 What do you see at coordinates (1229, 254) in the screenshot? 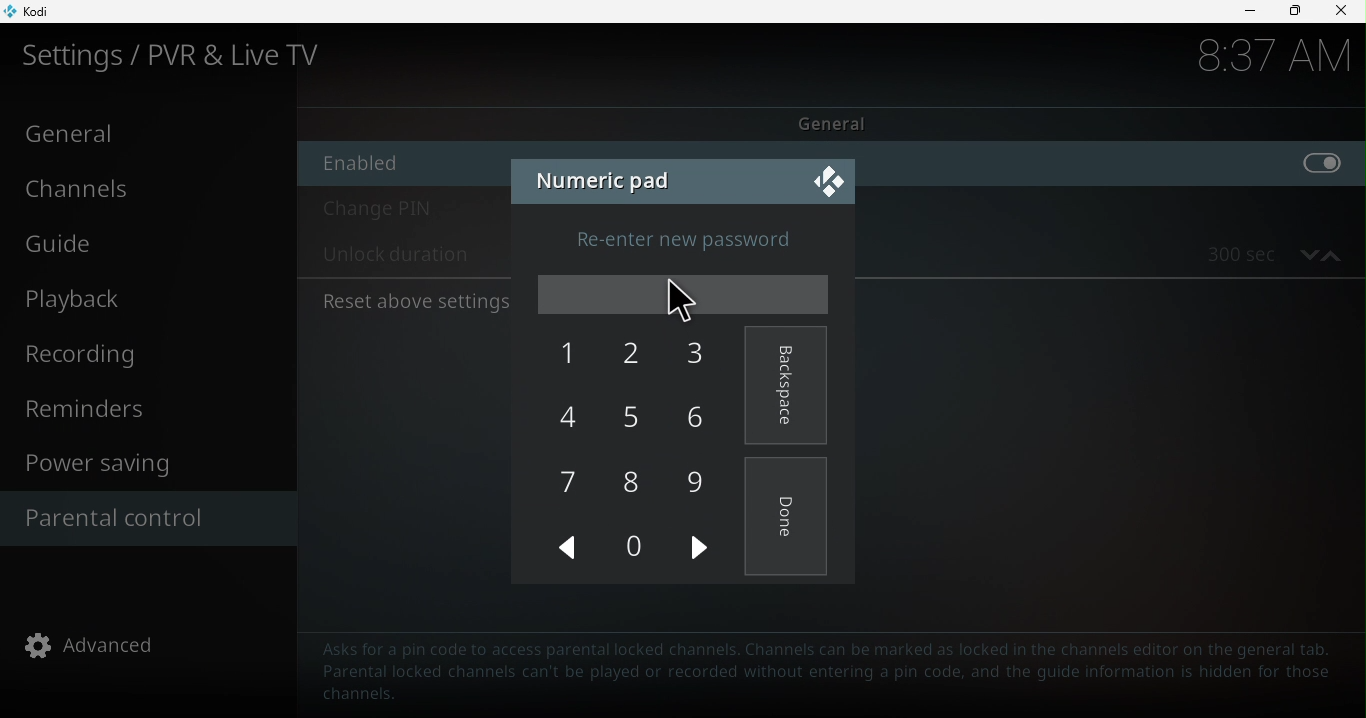
I see `300 sec` at bounding box center [1229, 254].